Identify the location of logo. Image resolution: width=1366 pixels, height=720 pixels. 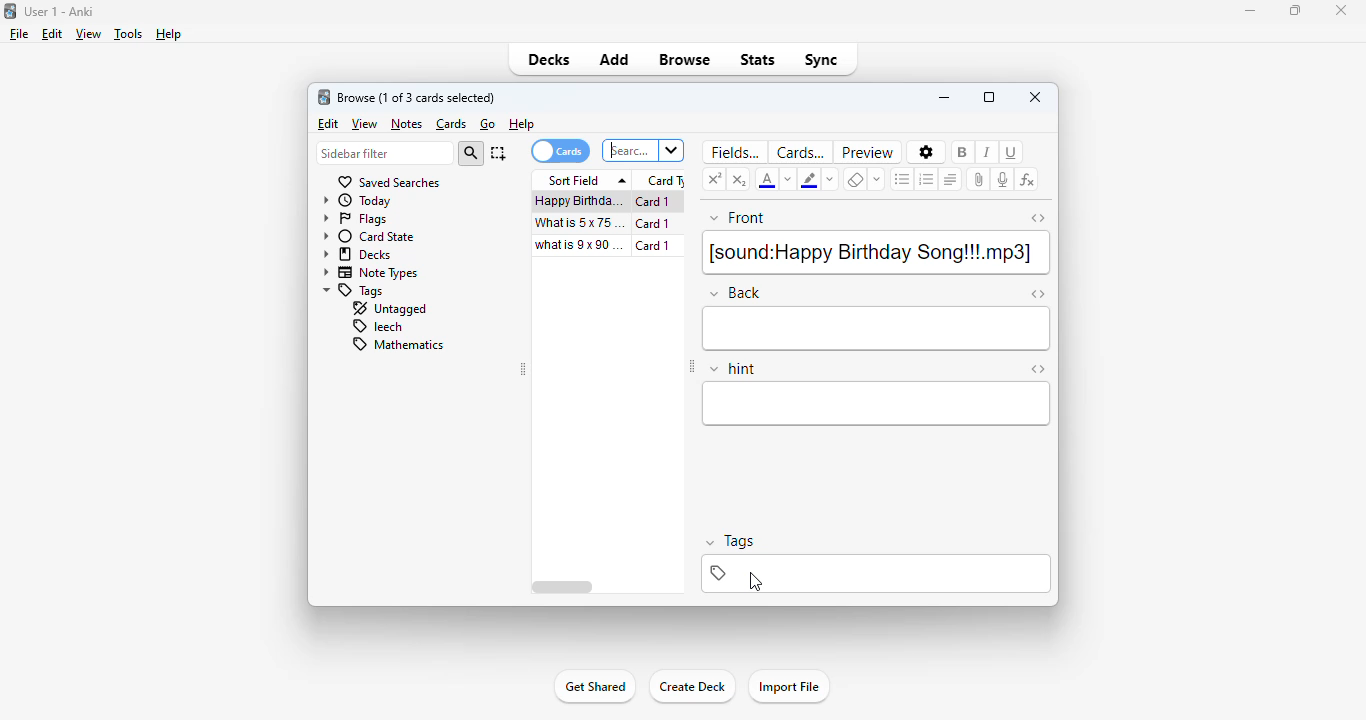
(9, 10).